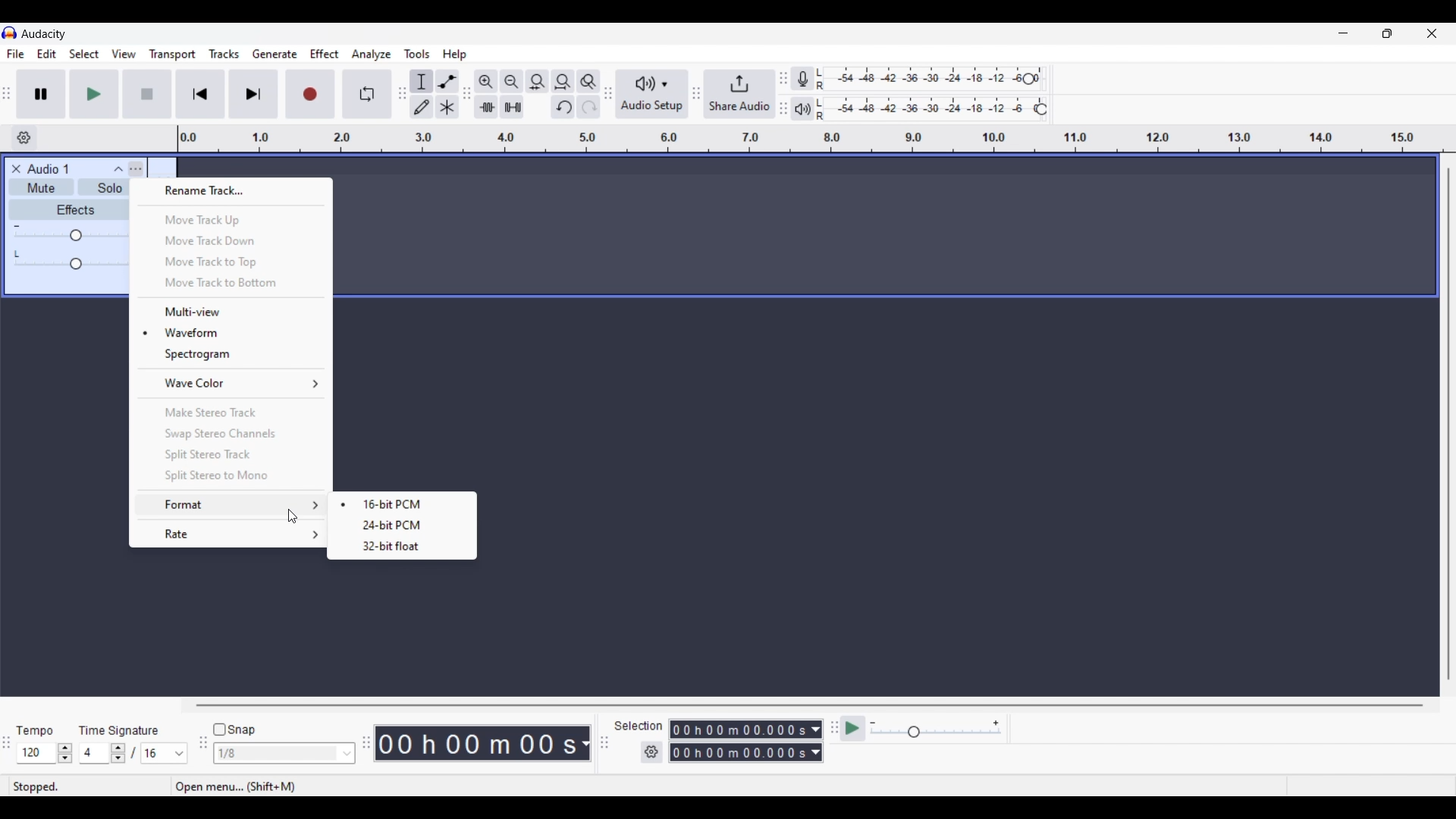 Image resolution: width=1456 pixels, height=819 pixels. Describe the element at coordinates (230, 505) in the screenshot. I see `Format options, current selection` at that location.